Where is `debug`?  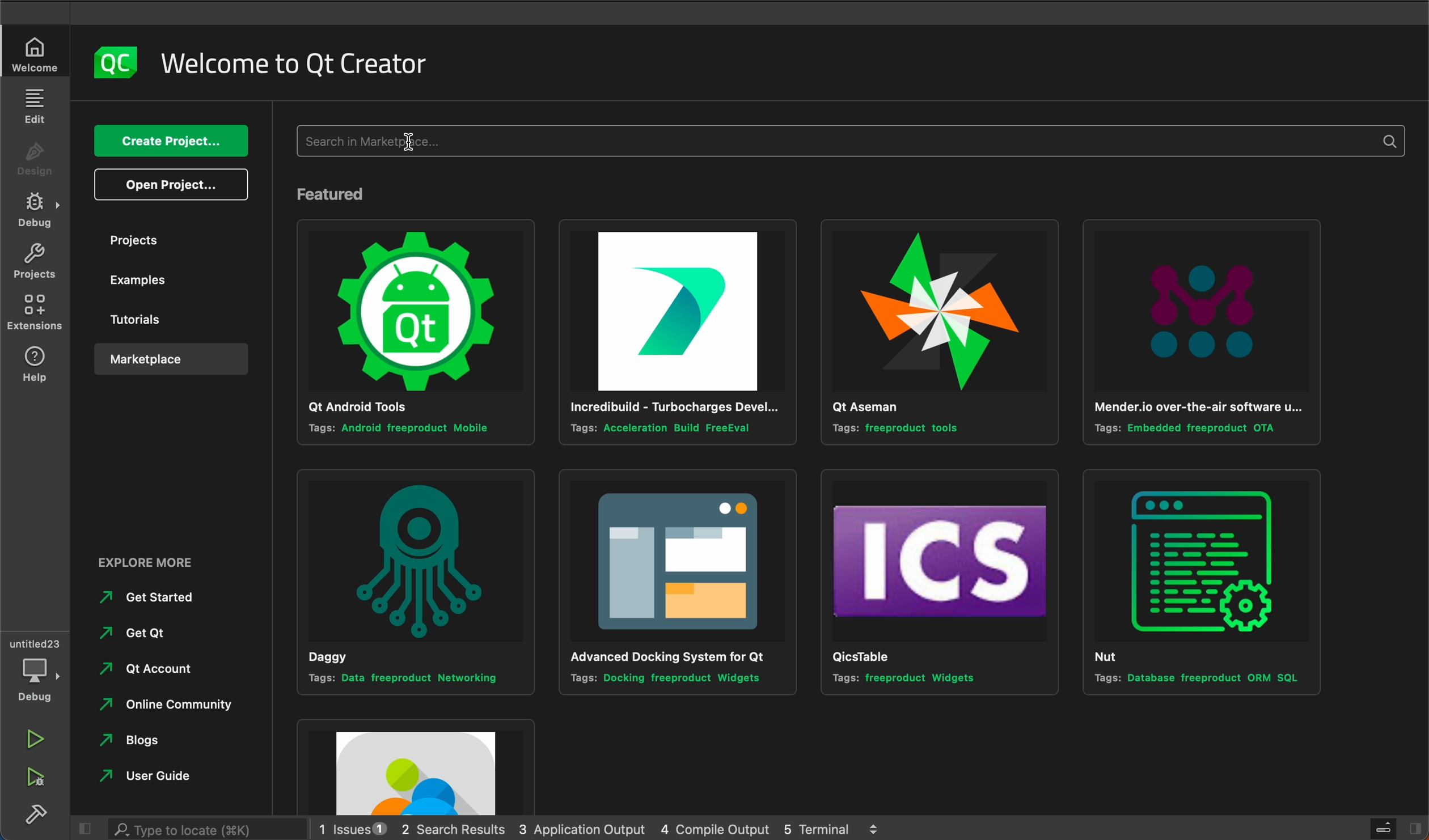
debug is located at coordinates (36, 667).